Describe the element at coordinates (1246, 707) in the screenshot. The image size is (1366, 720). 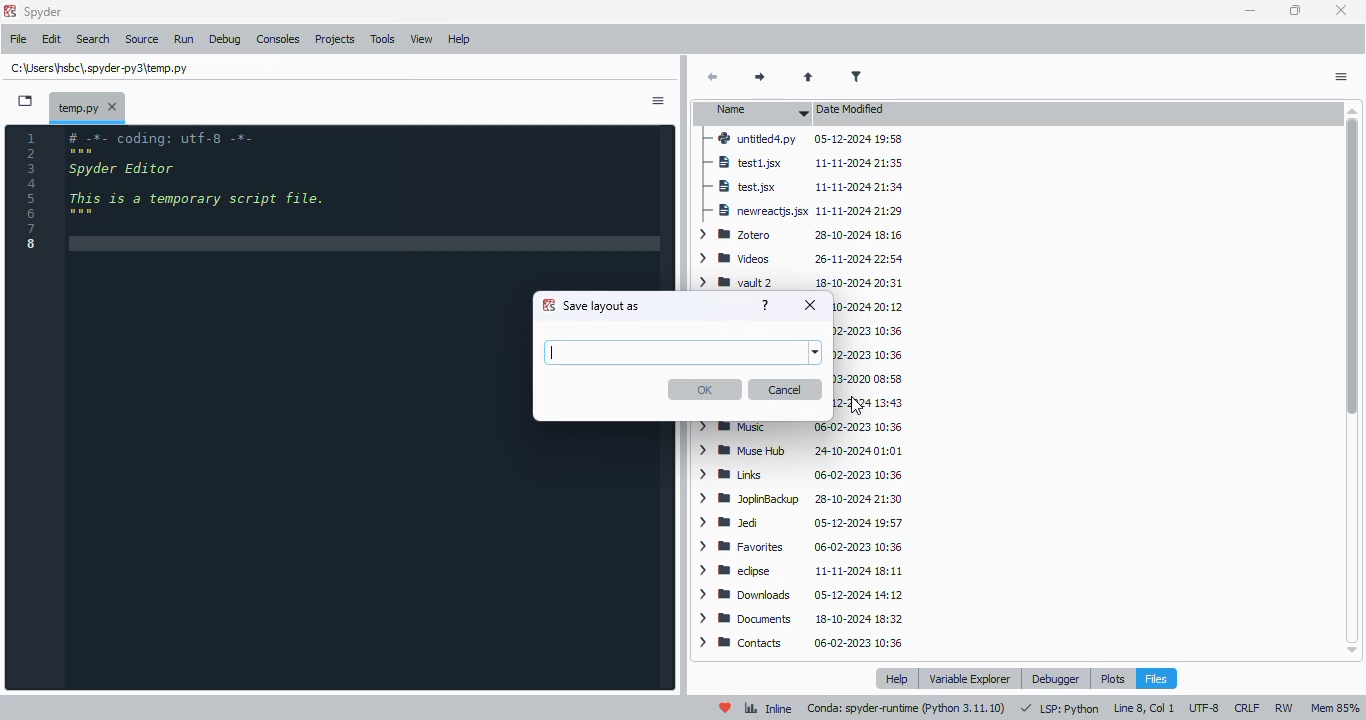
I see `CRLF` at that location.